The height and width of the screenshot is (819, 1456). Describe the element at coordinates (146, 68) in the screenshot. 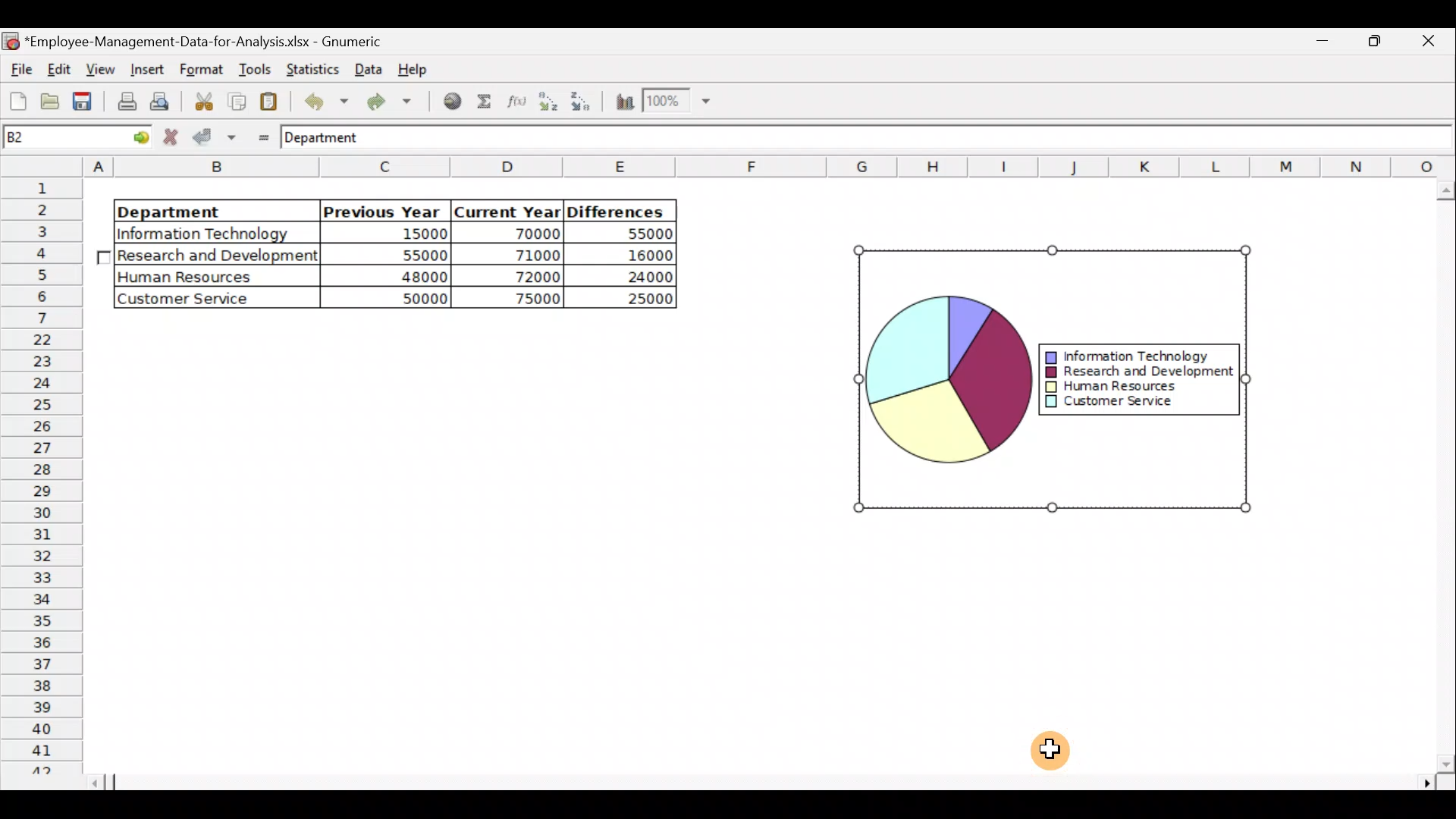

I see `Insert` at that location.